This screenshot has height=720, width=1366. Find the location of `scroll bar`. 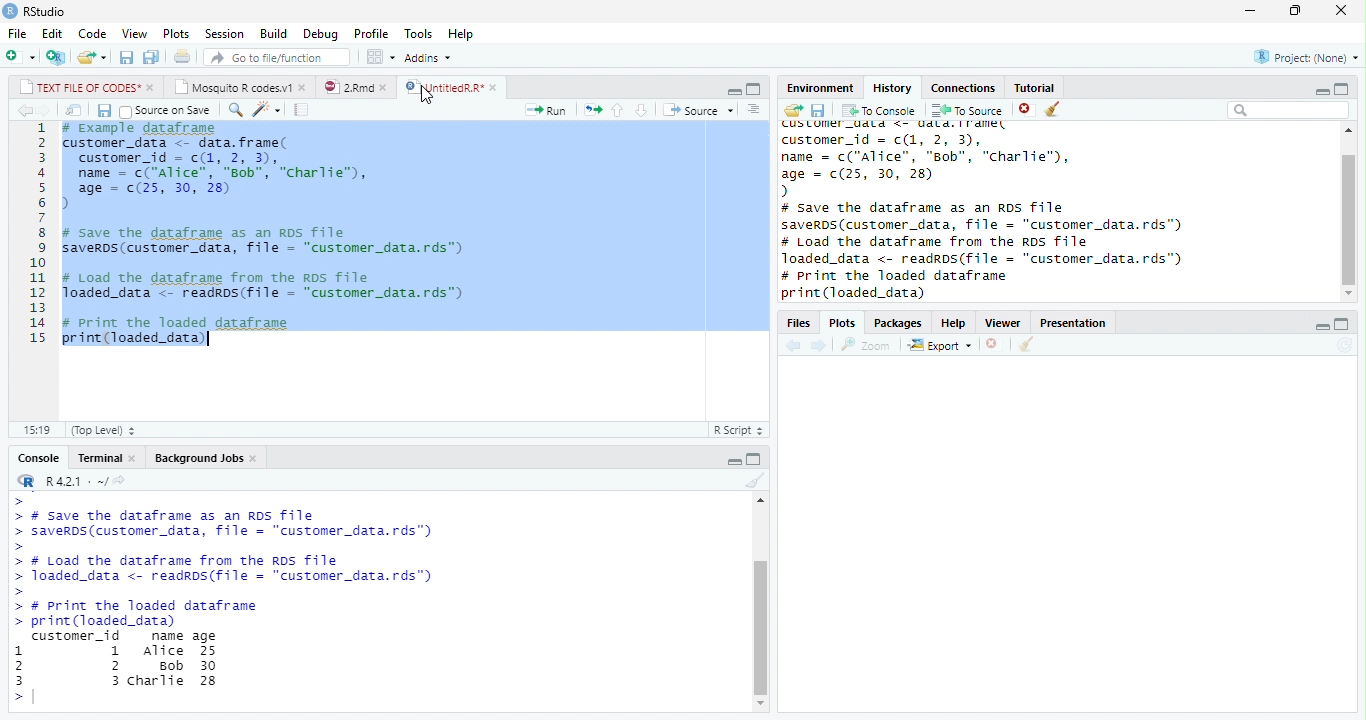

scroll bar is located at coordinates (761, 628).